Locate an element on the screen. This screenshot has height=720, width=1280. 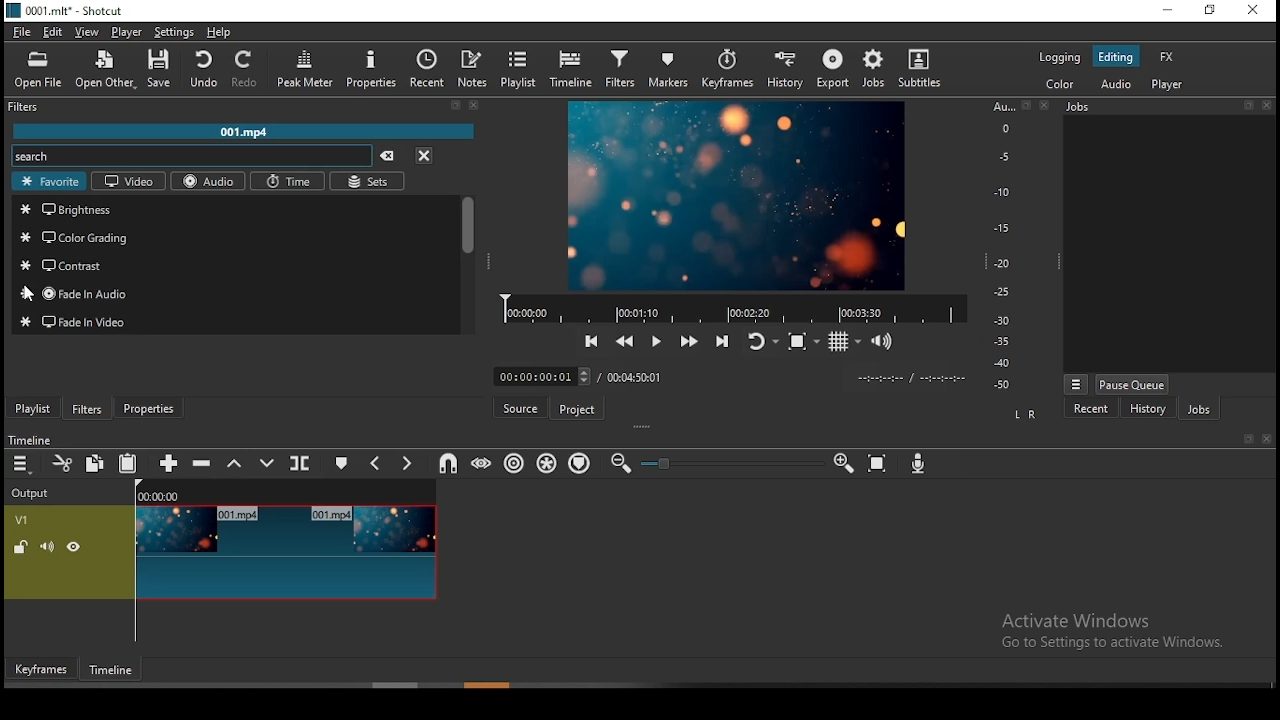
restore is located at coordinates (1211, 9).